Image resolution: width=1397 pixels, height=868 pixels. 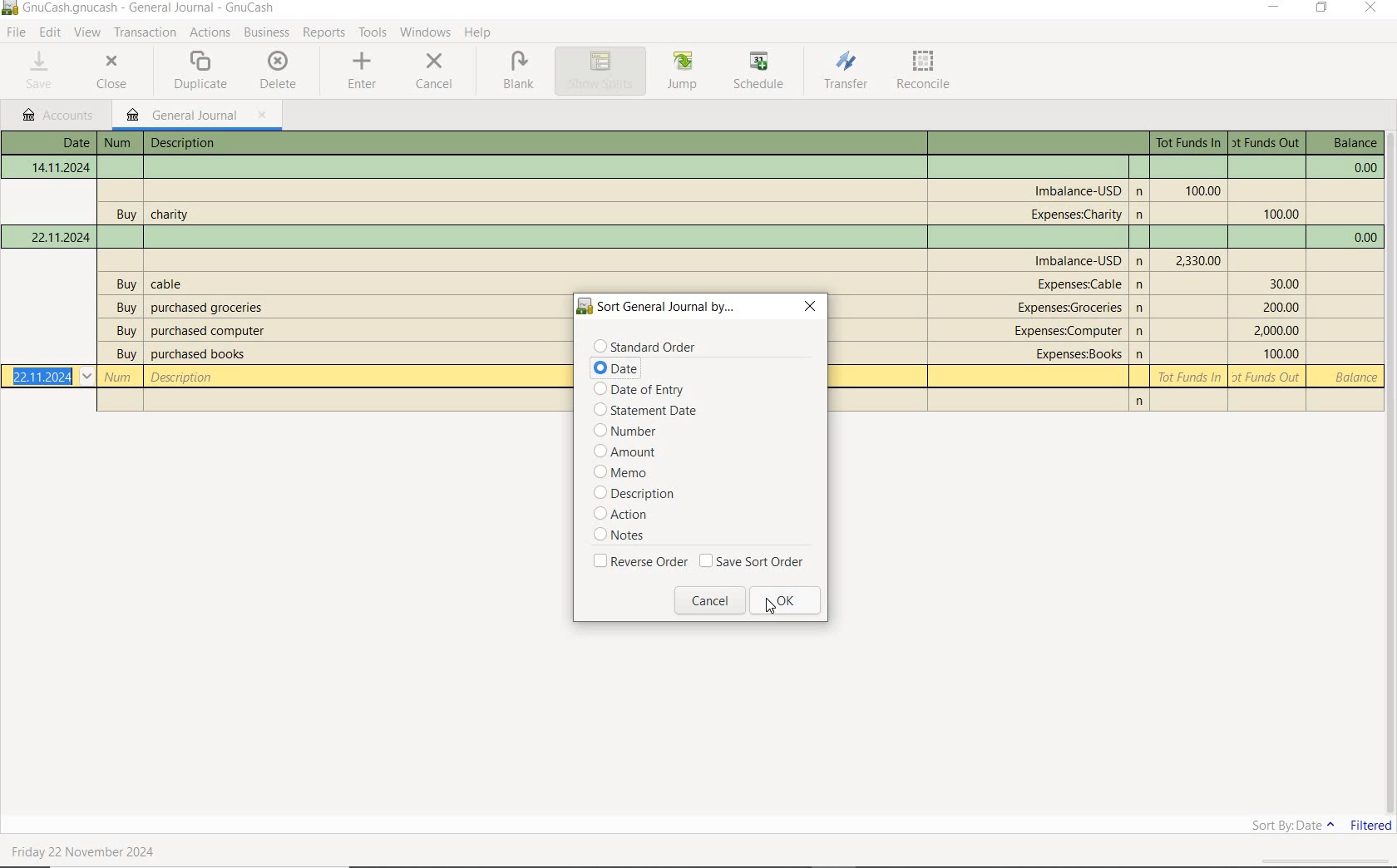 What do you see at coordinates (643, 390) in the screenshot?
I see `date of entry` at bounding box center [643, 390].